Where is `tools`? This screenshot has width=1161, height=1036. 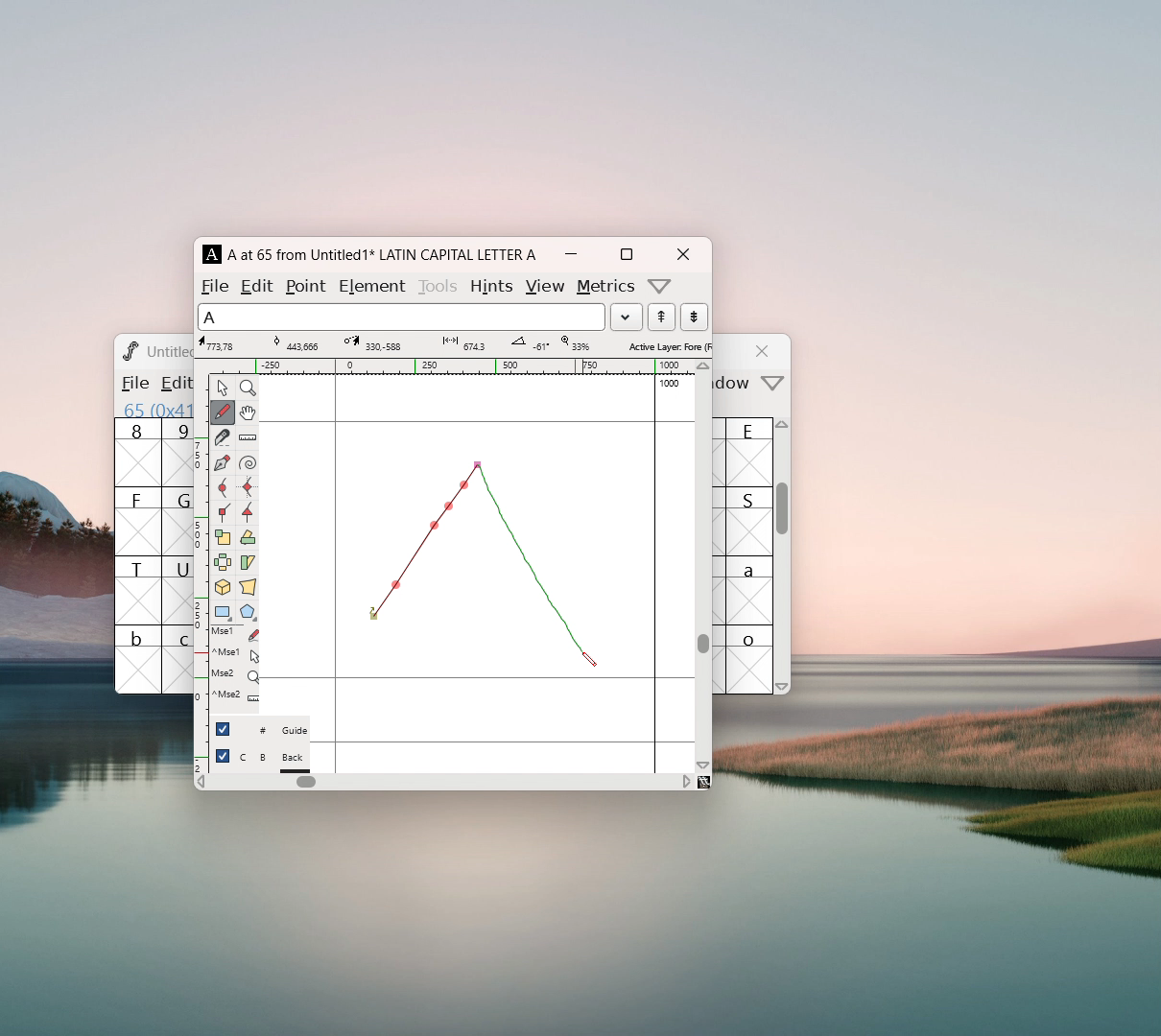
tools is located at coordinates (439, 284).